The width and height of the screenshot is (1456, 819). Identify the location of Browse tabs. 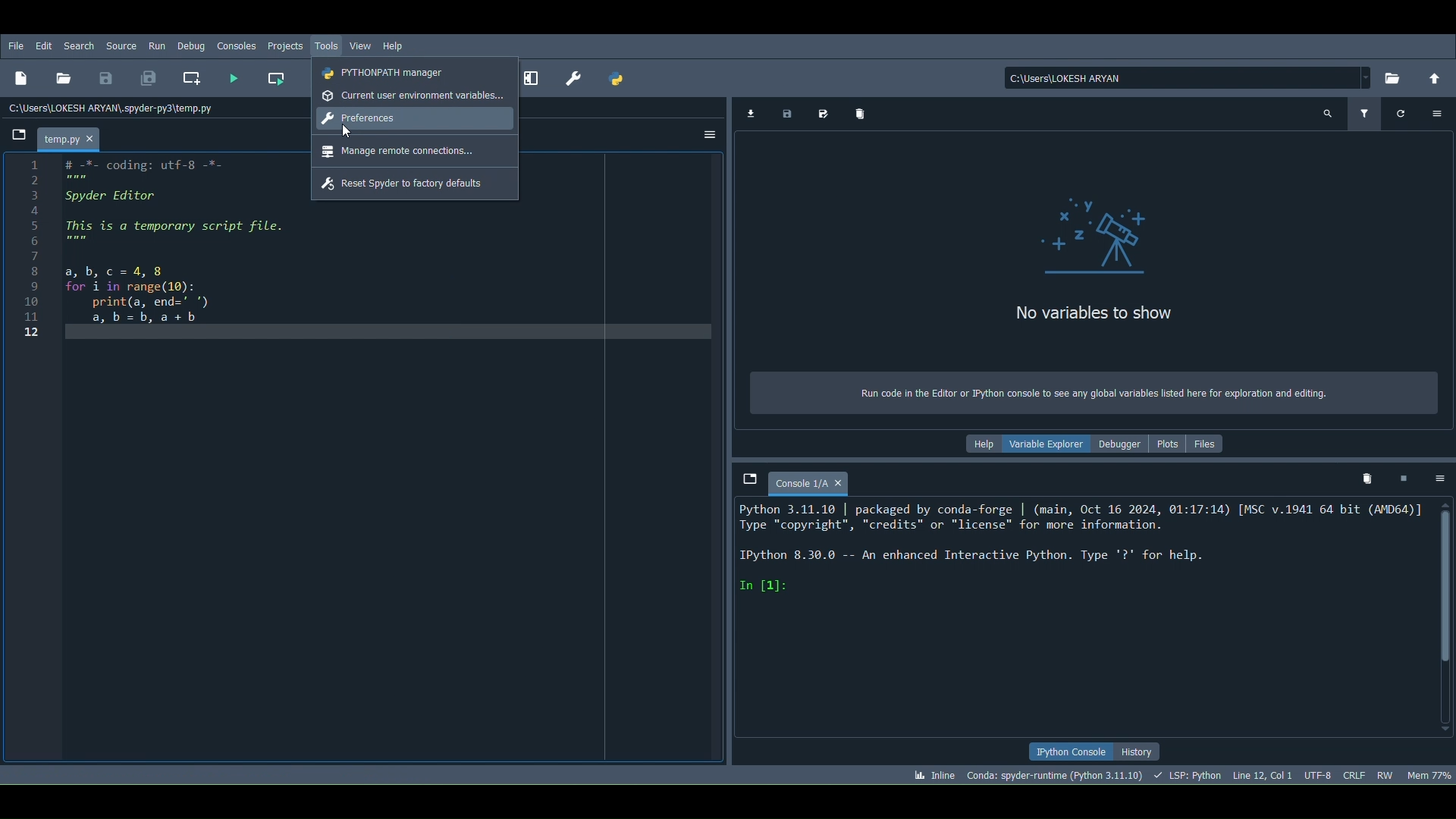
(16, 138).